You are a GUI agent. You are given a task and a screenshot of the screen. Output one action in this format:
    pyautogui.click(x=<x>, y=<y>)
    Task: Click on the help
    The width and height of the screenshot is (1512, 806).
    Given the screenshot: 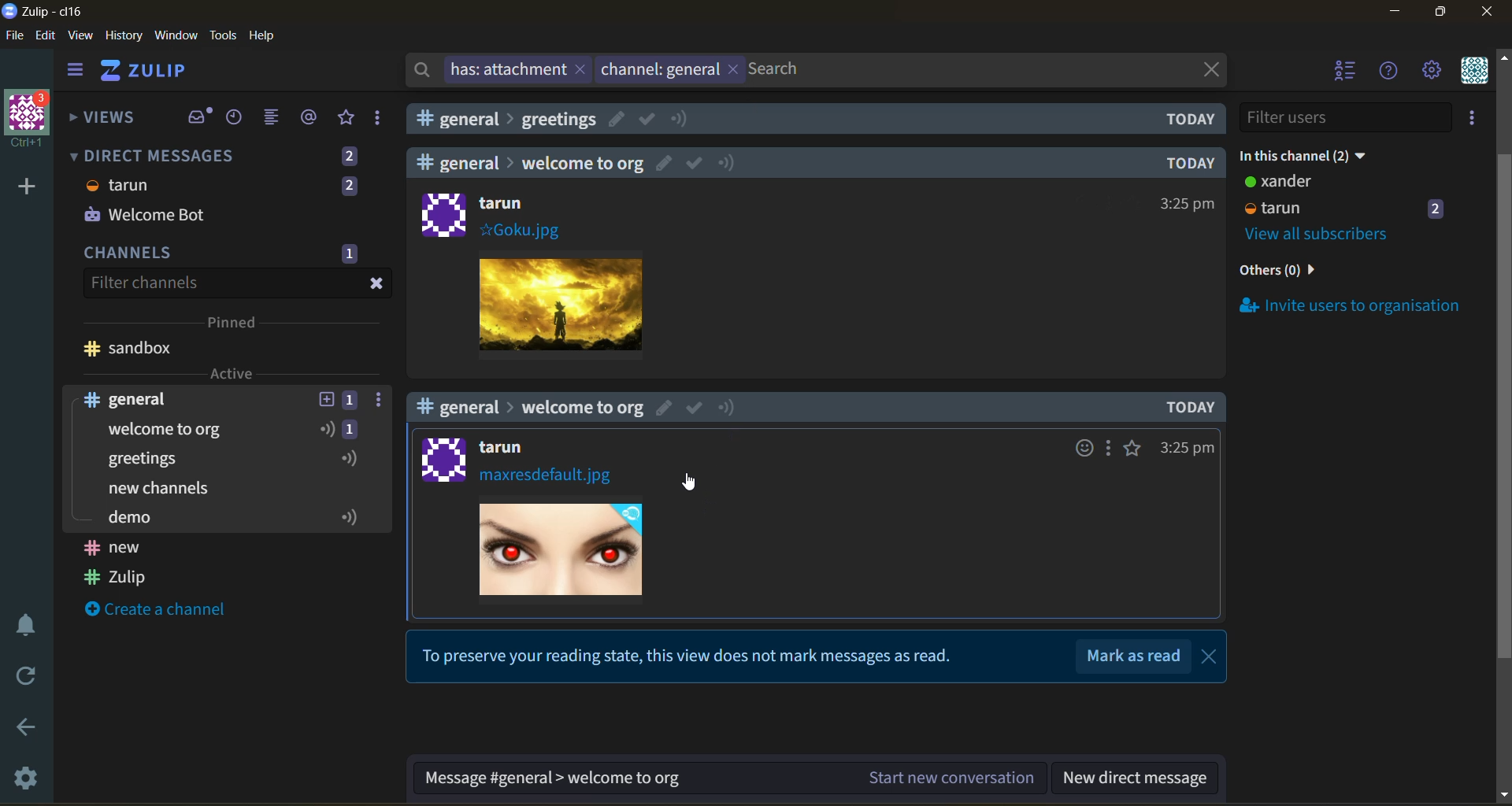 What is the action you would take?
    pyautogui.click(x=1389, y=72)
    